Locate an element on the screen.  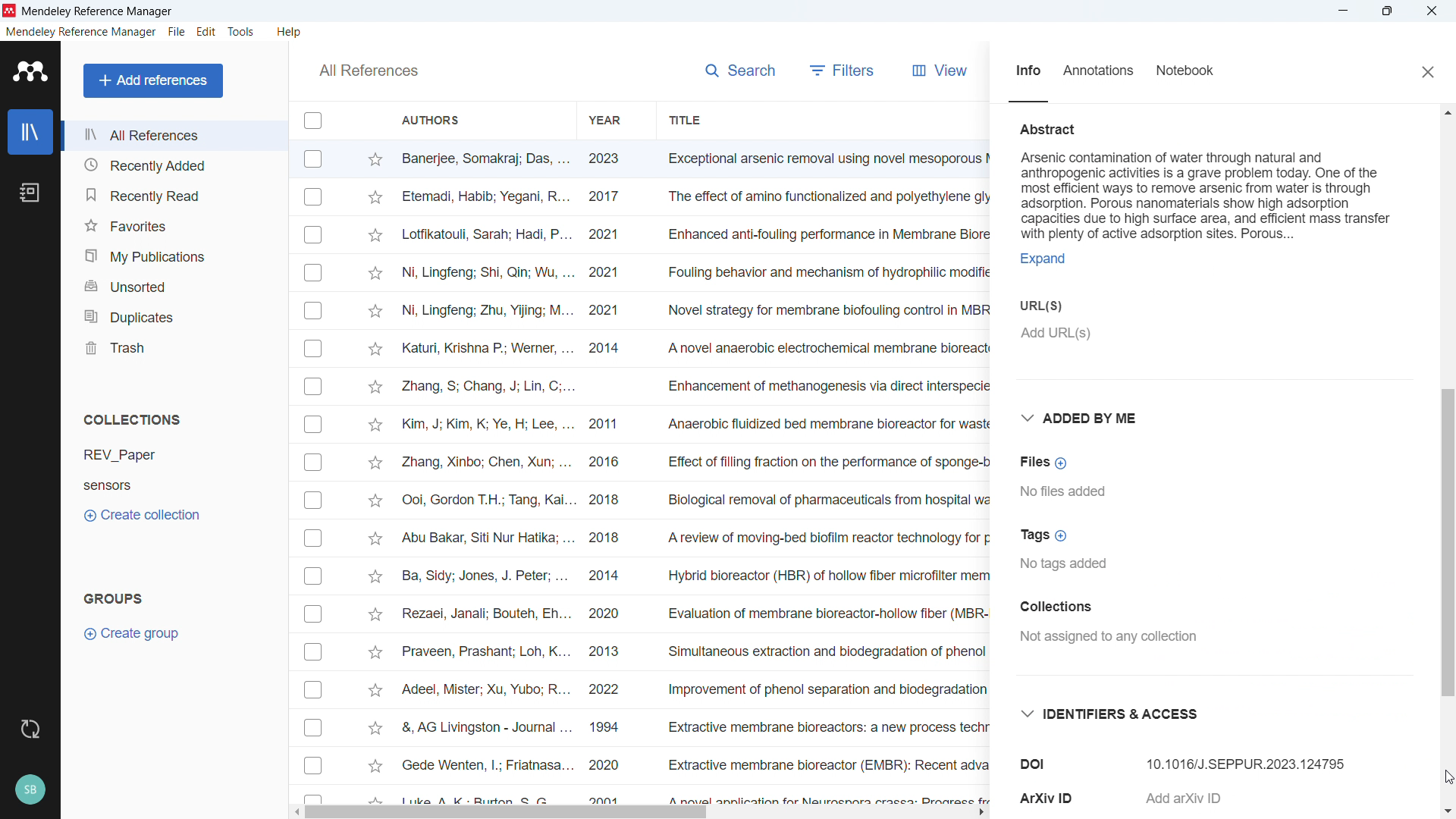
Maximise  is located at coordinates (1388, 11).